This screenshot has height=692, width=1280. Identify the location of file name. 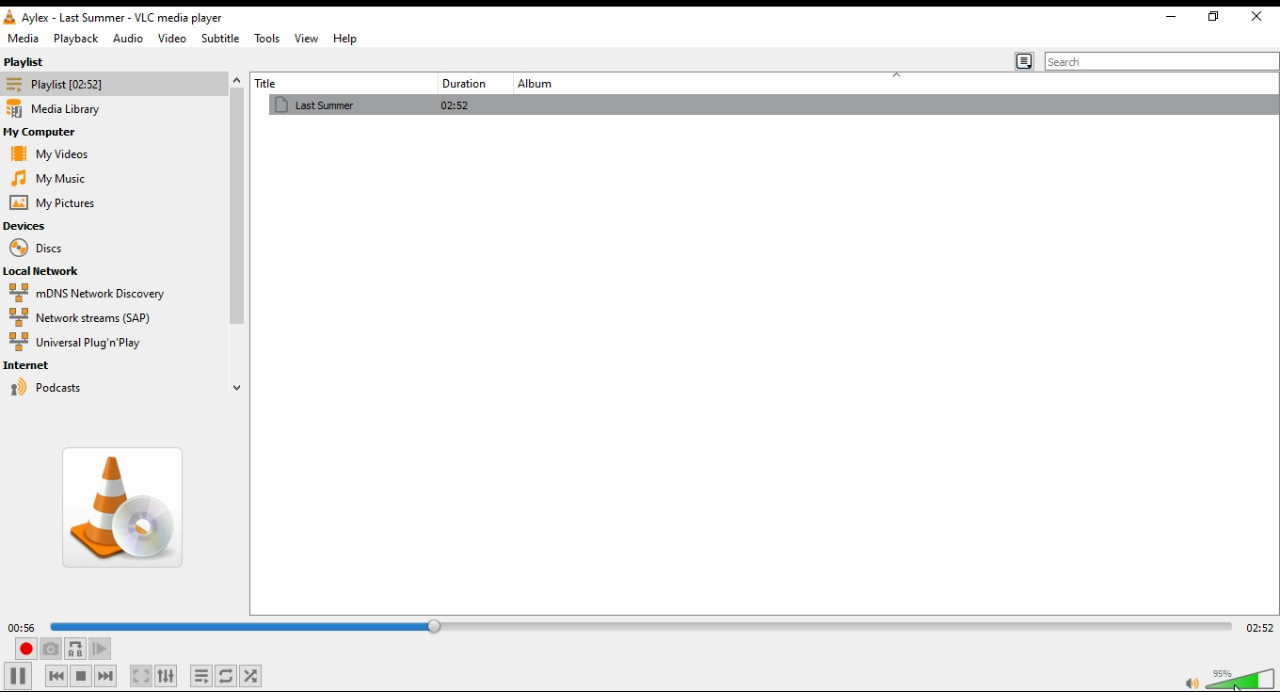
(127, 18).